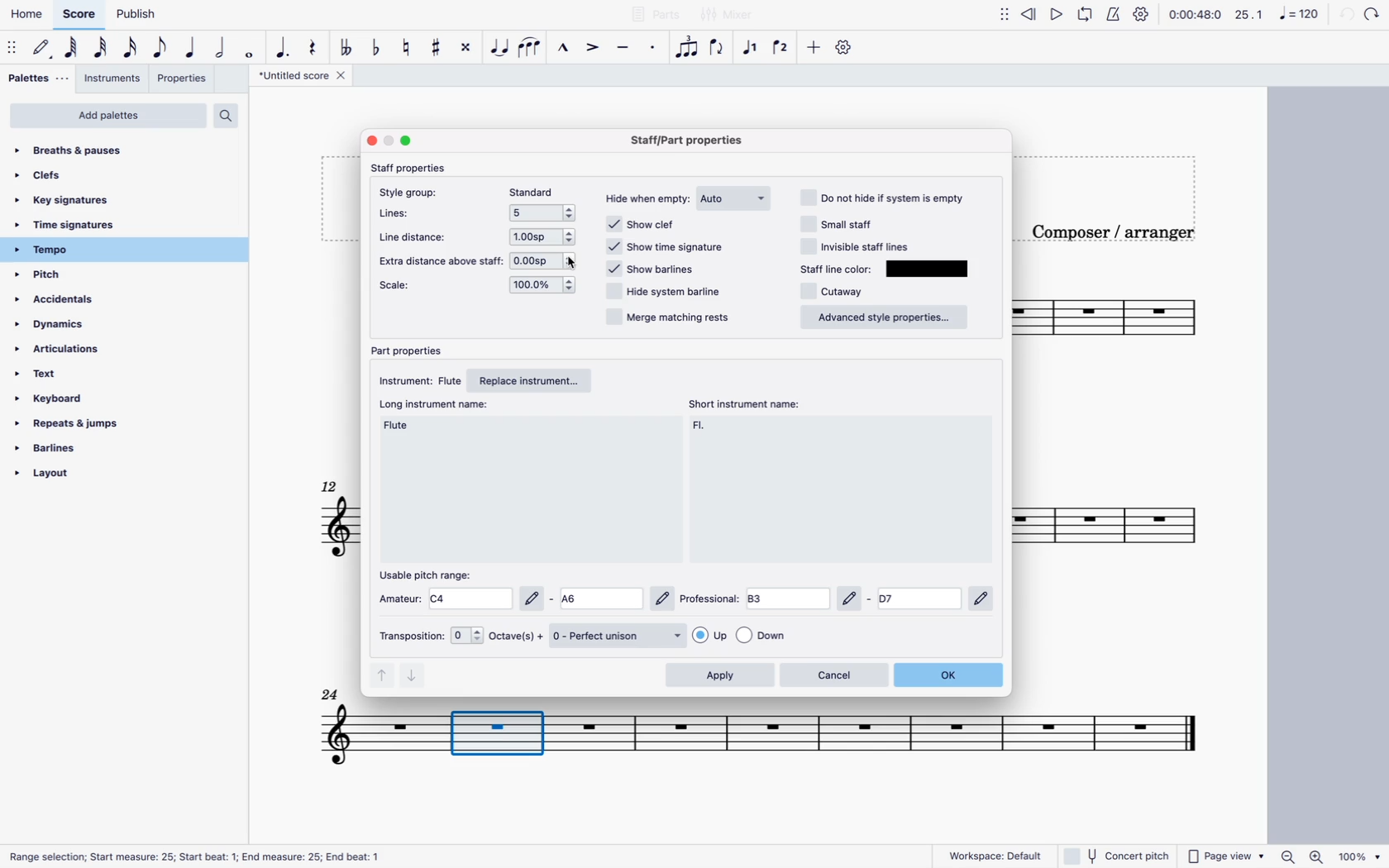  What do you see at coordinates (79, 18) in the screenshot?
I see `score` at bounding box center [79, 18].